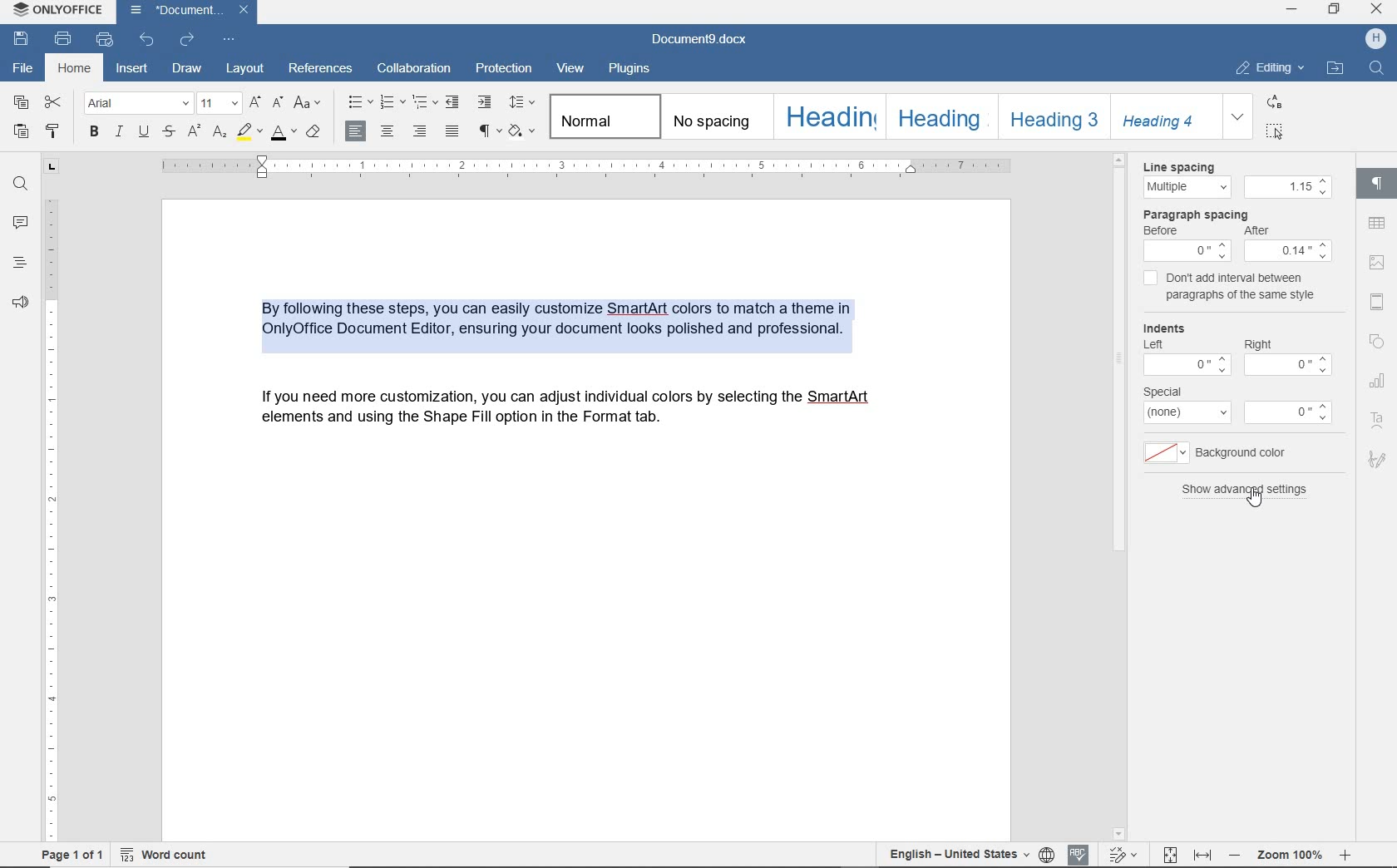 The image size is (1397, 868). What do you see at coordinates (279, 101) in the screenshot?
I see `decrement font size` at bounding box center [279, 101].